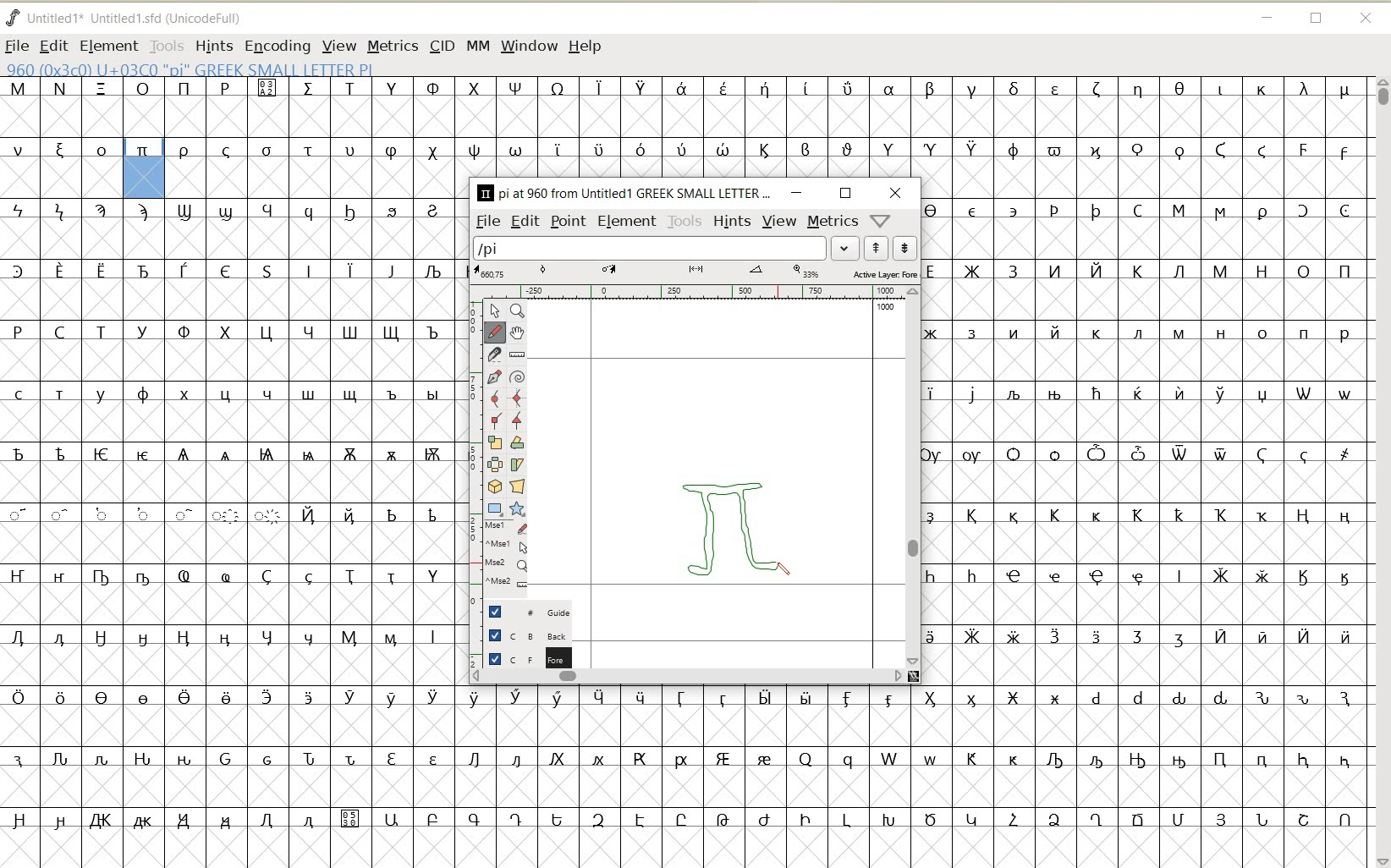  I want to click on EDIT, so click(525, 222).